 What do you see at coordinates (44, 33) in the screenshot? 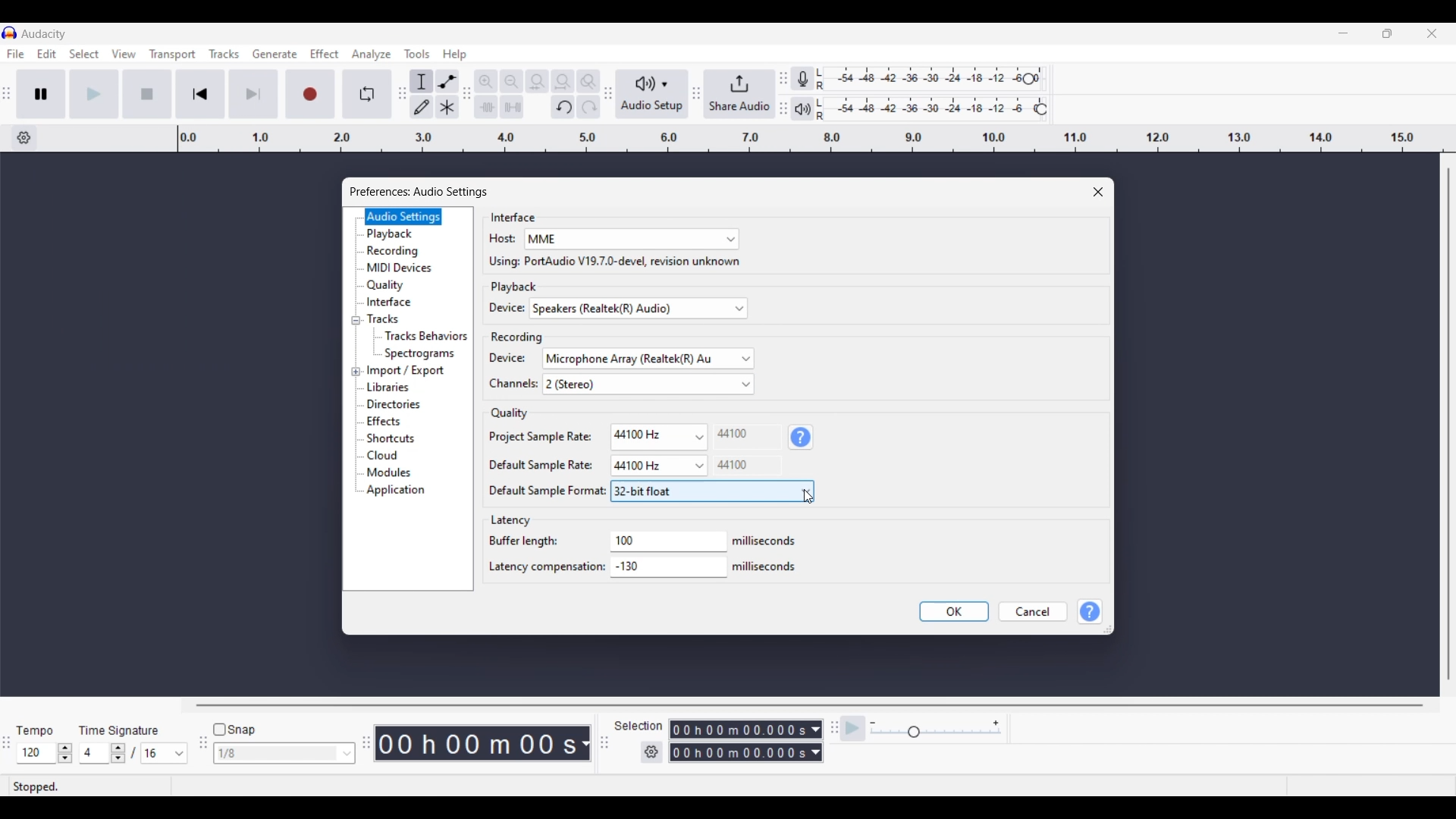
I see `Software name` at bounding box center [44, 33].